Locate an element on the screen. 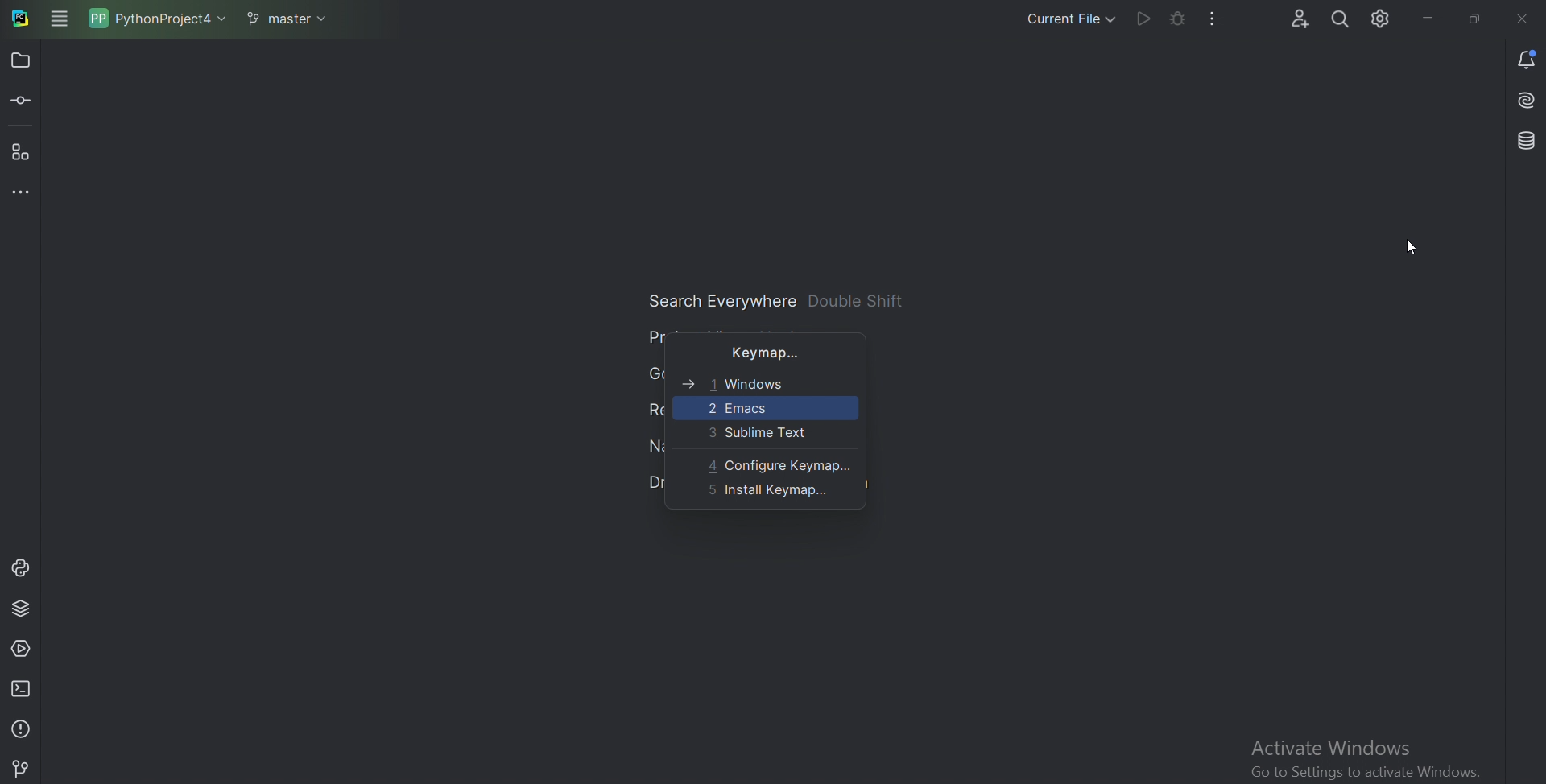 This screenshot has width=1546, height=784. Cross sign is located at coordinates (1525, 19).